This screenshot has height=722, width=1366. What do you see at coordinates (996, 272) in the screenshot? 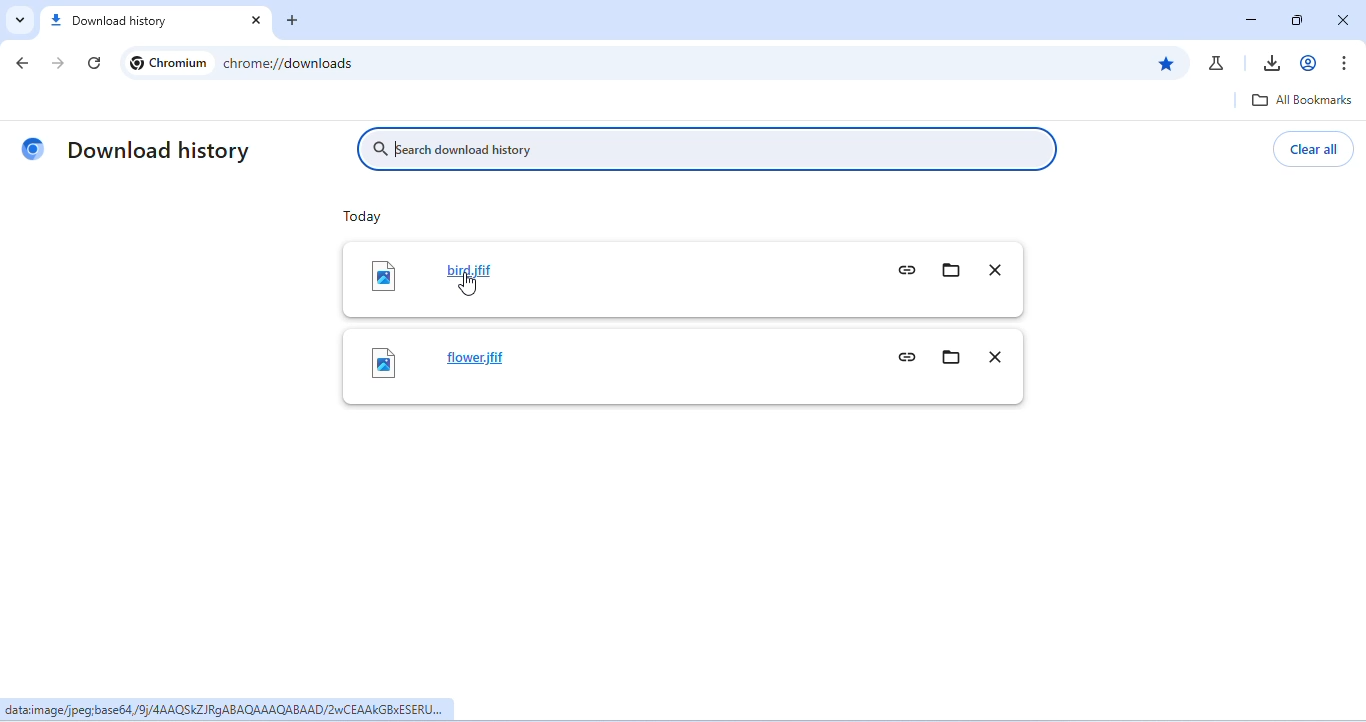
I see `remove` at bounding box center [996, 272].